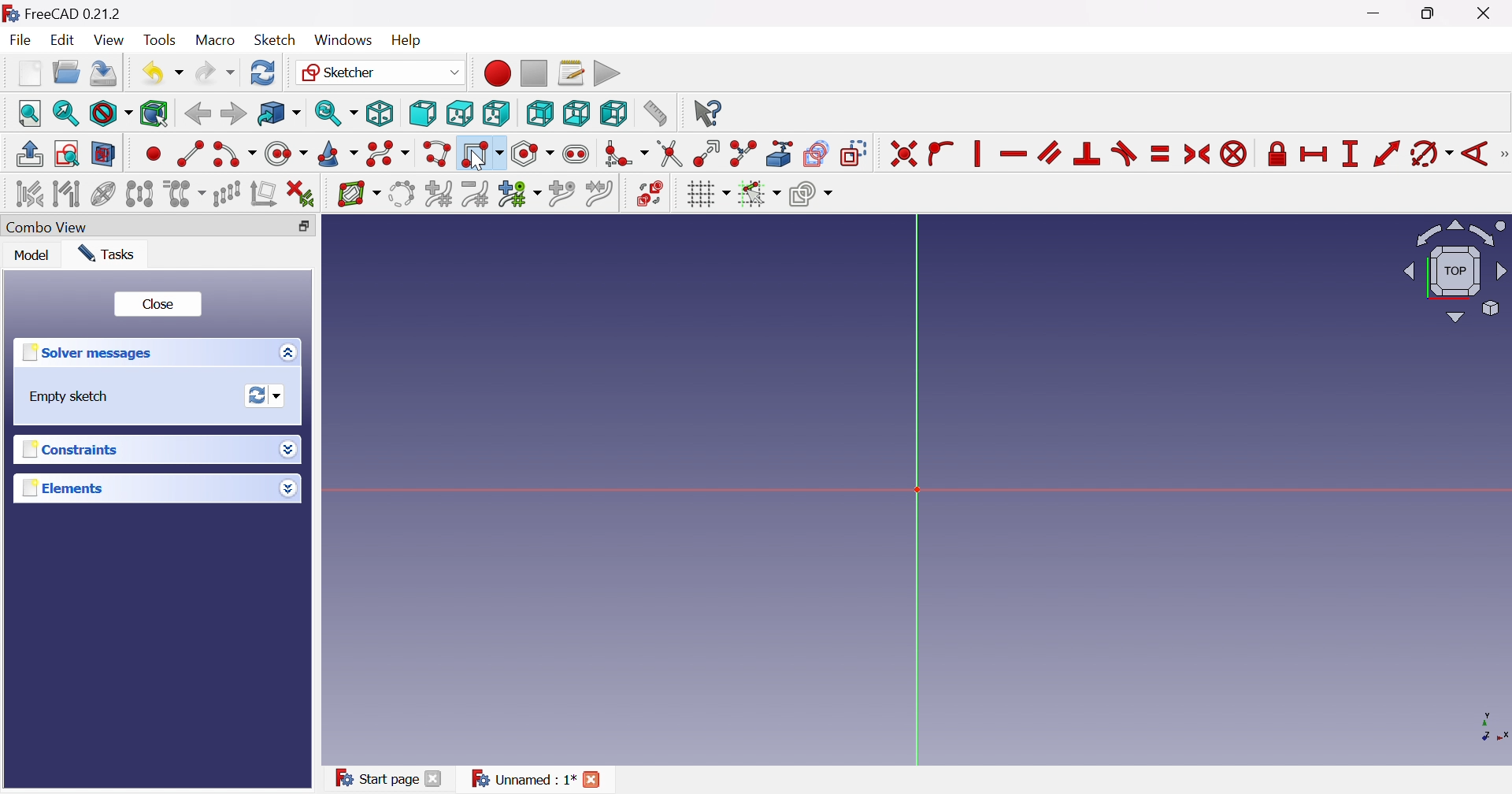  I want to click on Join curves, so click(598, 194).